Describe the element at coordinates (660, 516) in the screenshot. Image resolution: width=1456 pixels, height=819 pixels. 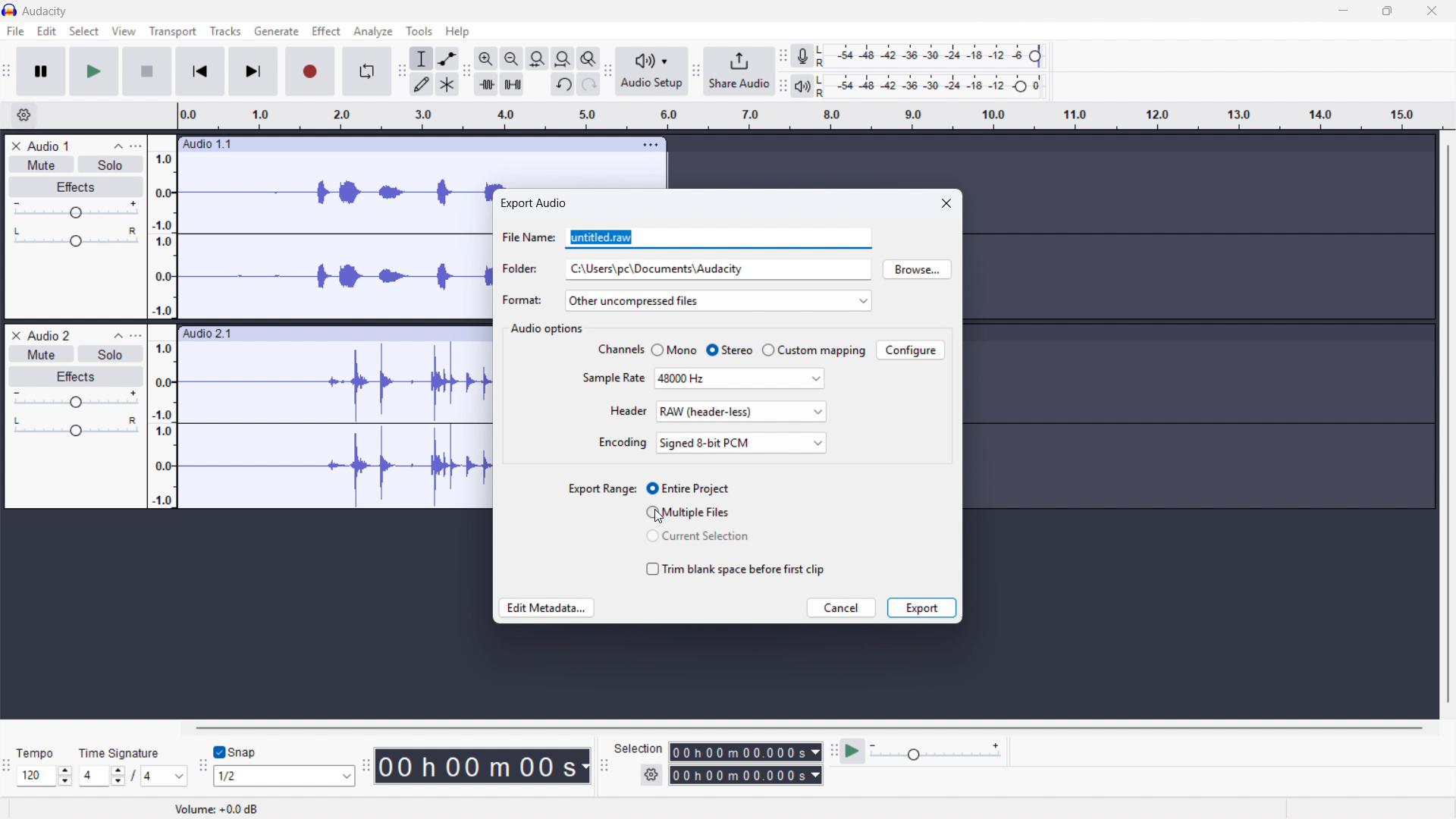
I see `cursor ` at that location.